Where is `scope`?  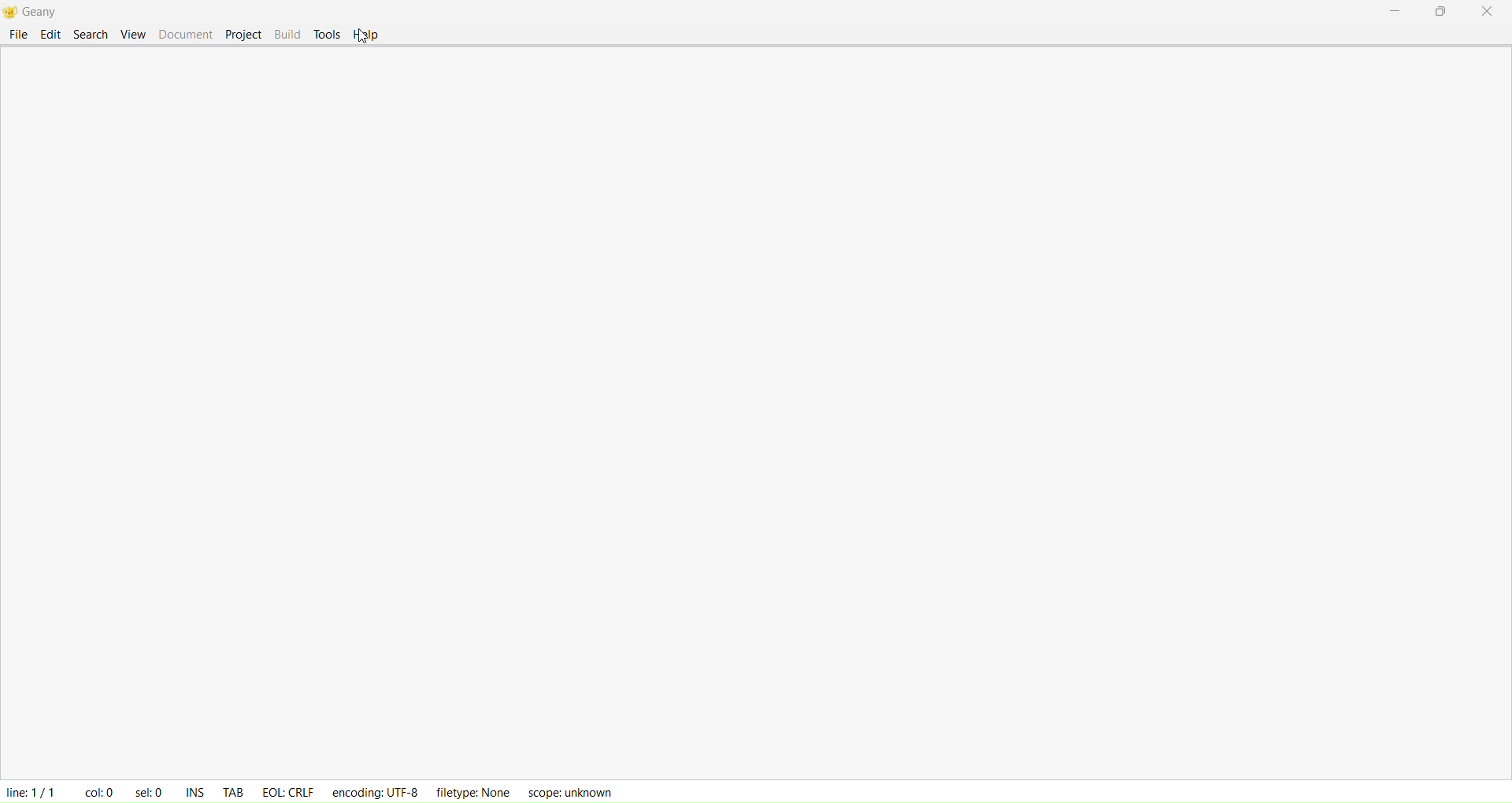
scope is located at coordinates (575, 790).